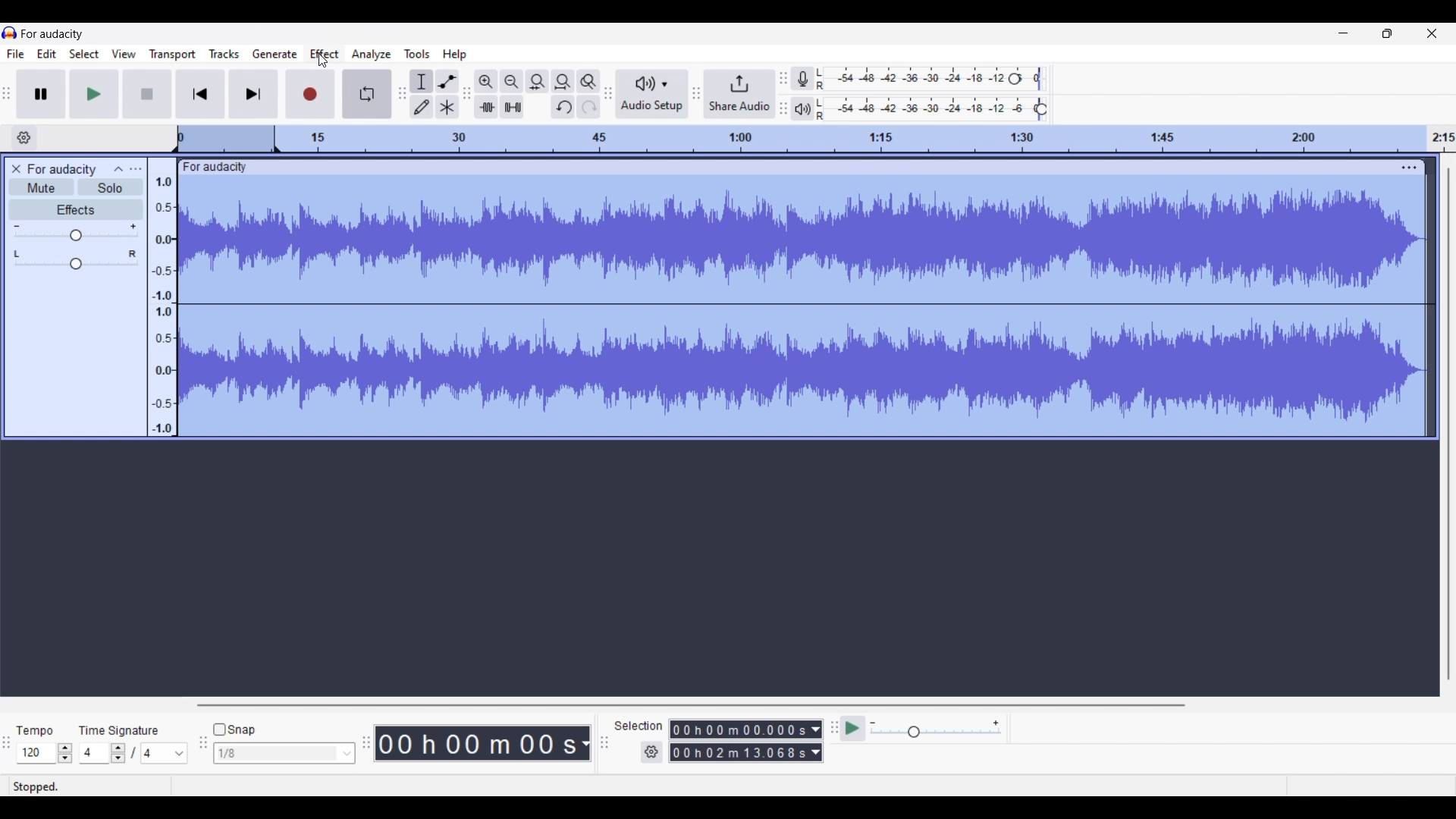 The image size is (1456, 819). Describe the element at coordinates (1409, 168) in the screenshot. I see `Track settings` at that location.